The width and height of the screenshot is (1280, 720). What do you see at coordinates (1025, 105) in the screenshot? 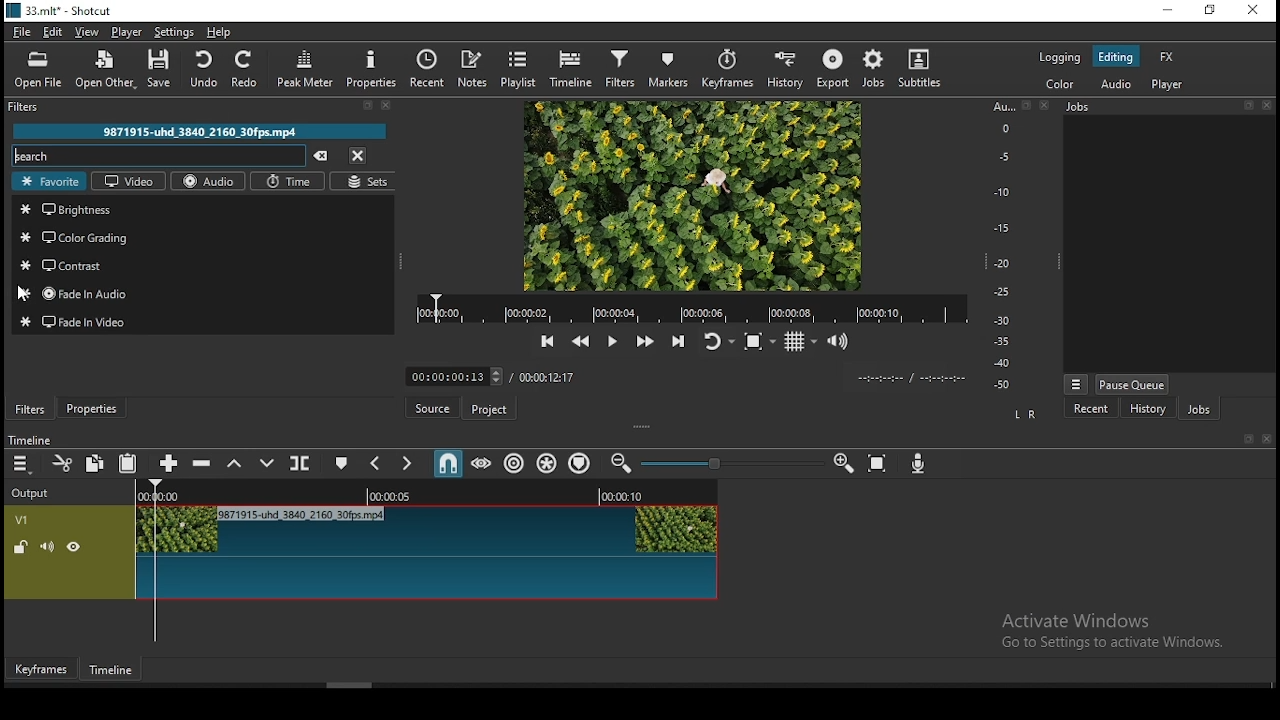
I see `resize` at bounding box center [1025, 105].